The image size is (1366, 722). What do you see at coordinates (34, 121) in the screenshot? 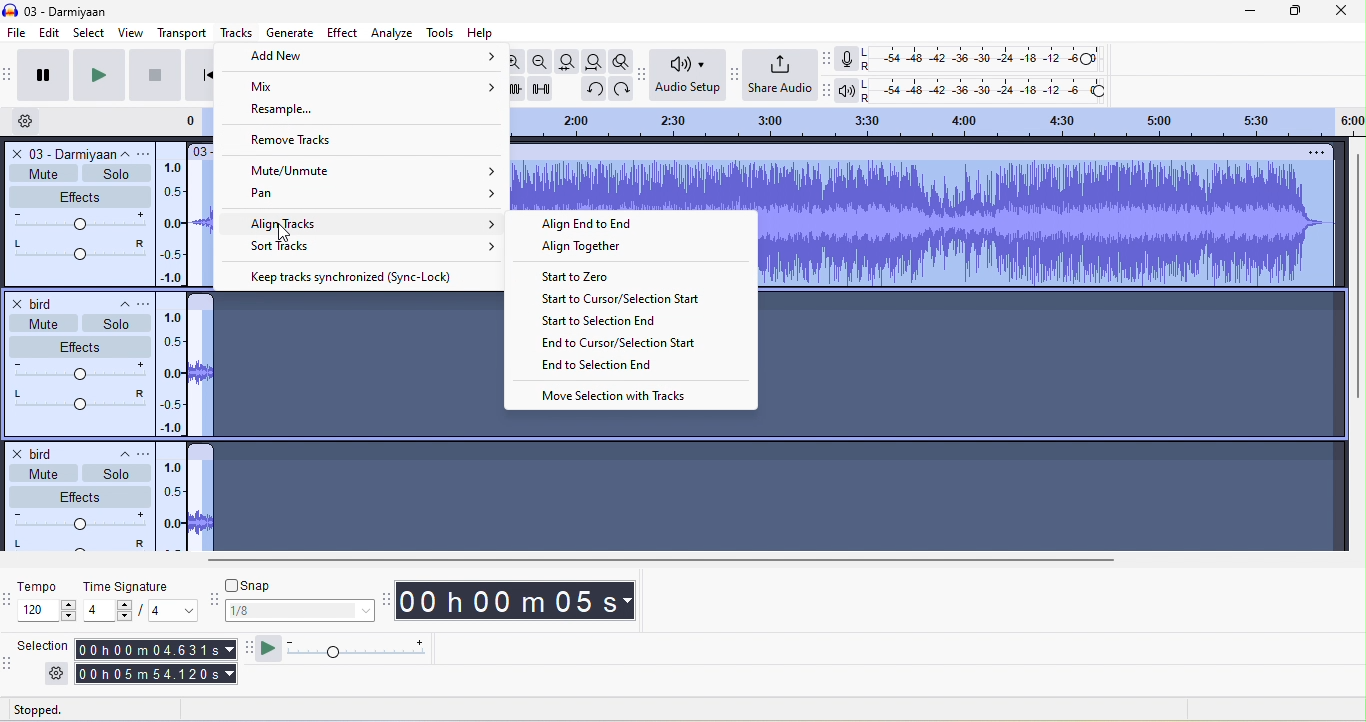
I see `timeline option` at bounding box center [34, 121].